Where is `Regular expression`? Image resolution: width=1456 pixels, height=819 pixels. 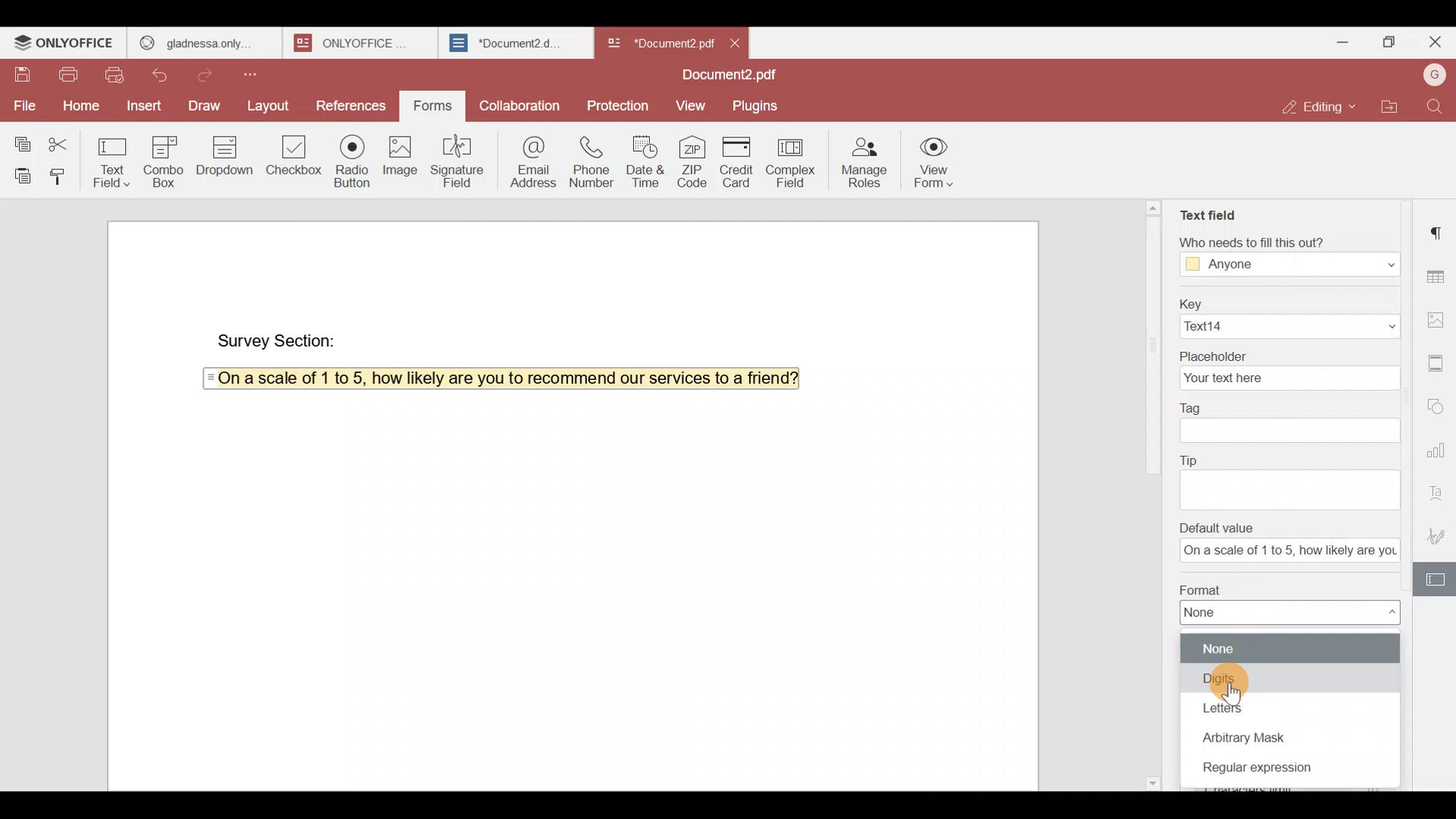
Regular expression is located at coordinates (1269, 764).